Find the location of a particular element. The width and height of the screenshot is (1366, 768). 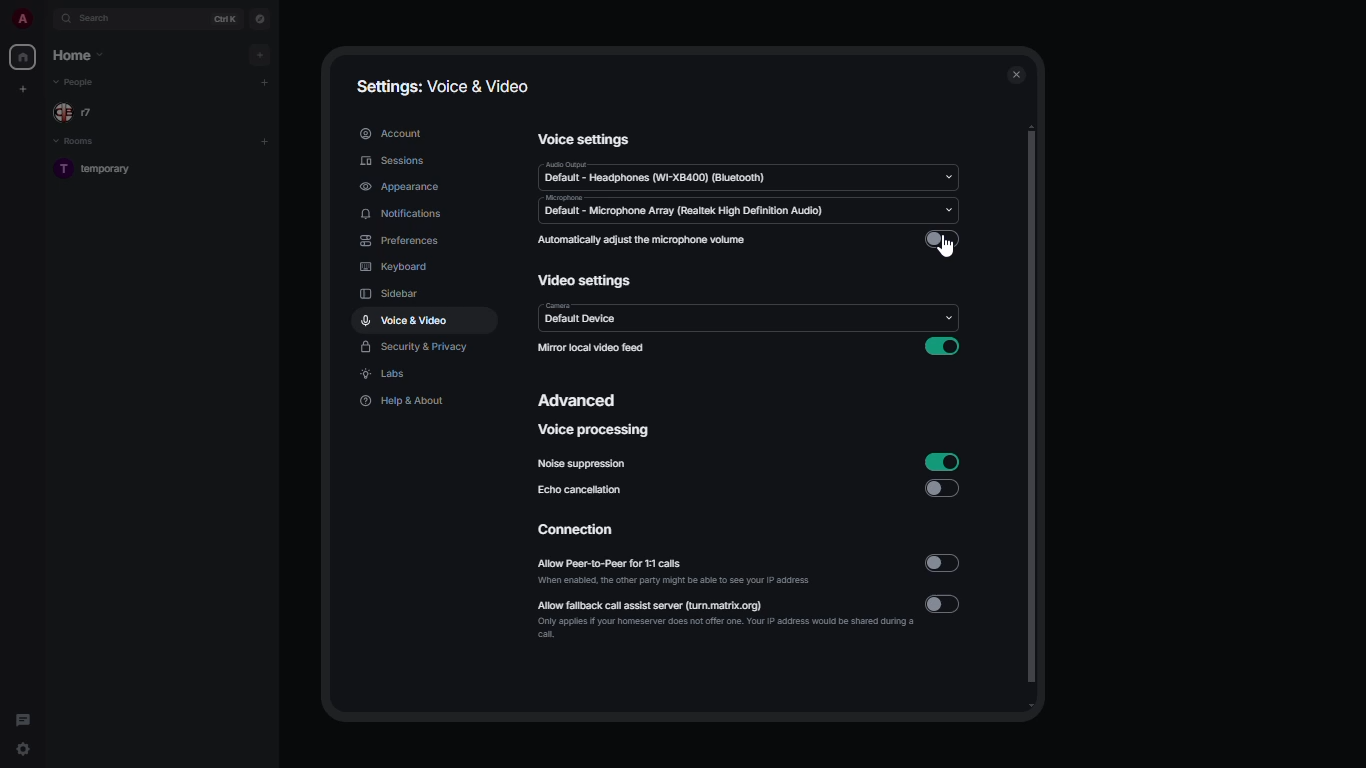

room is located at coordinates (106, 170).